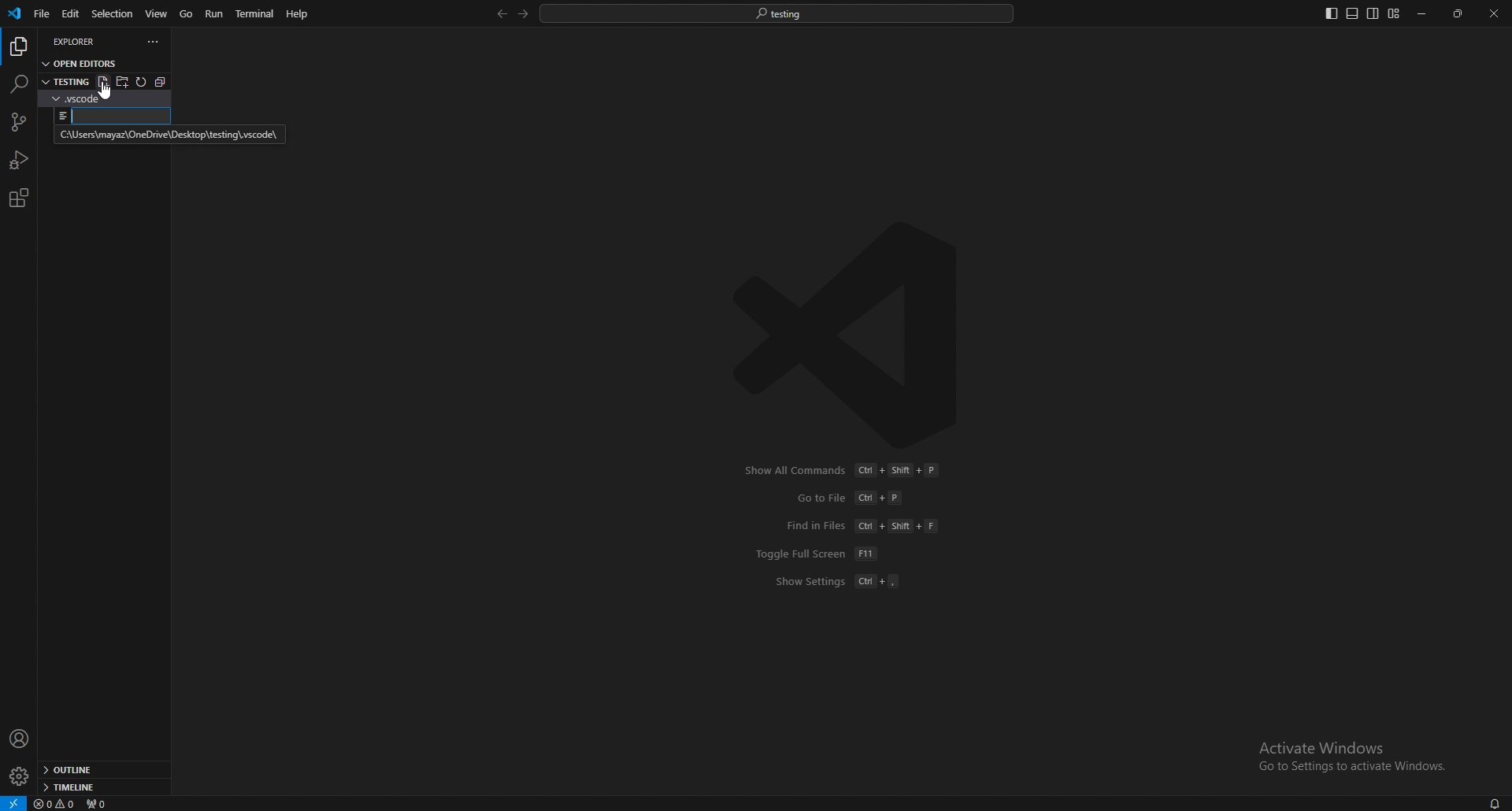  Describe the element at coordinates (56, 805) in the screenshot. I see `errors` at that location.